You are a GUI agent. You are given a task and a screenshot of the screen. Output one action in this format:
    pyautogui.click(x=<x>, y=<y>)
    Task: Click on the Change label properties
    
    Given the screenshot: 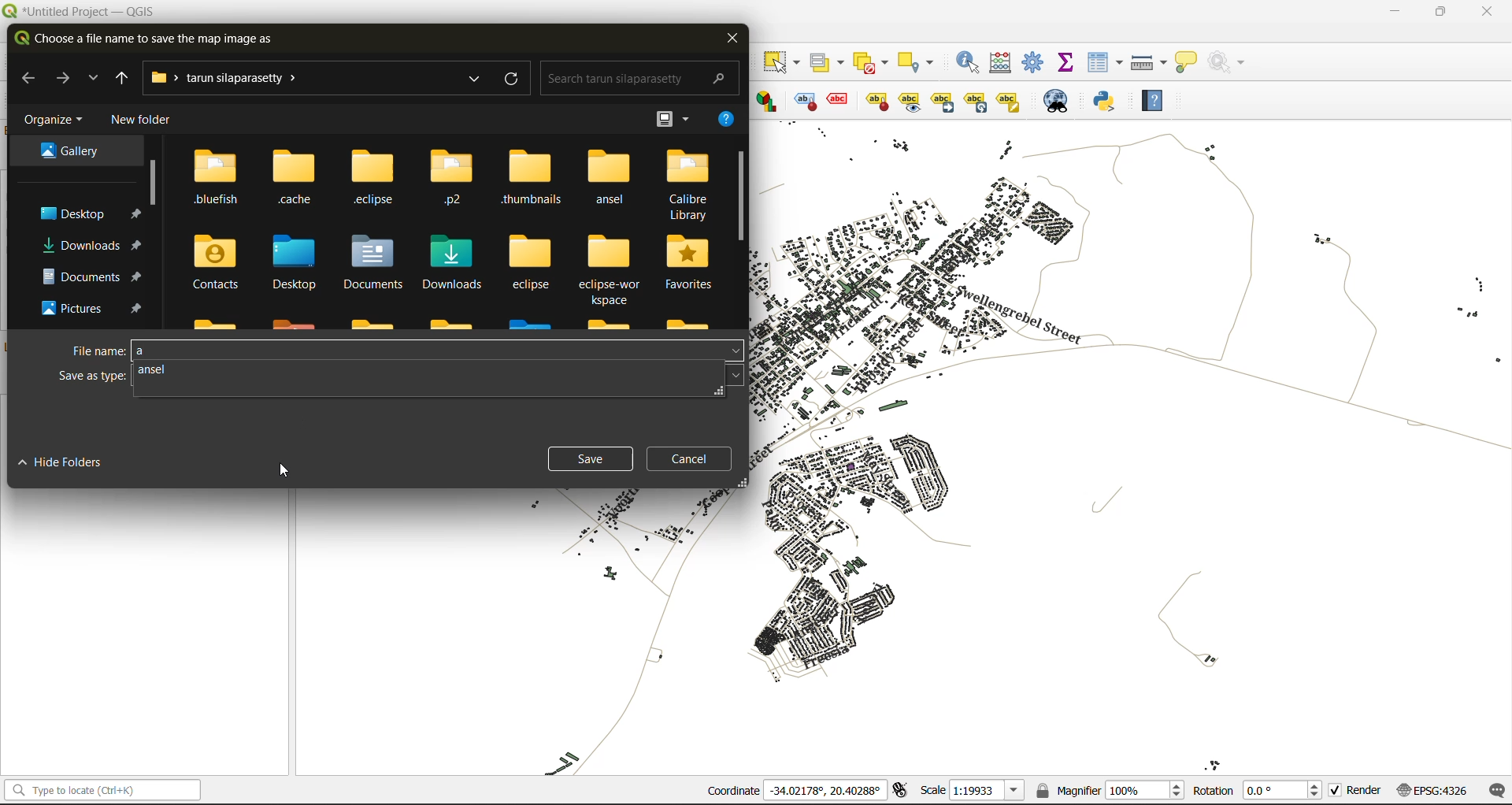 What is the action you would take?
    pyautogui.click(x=1009, y=100)
    